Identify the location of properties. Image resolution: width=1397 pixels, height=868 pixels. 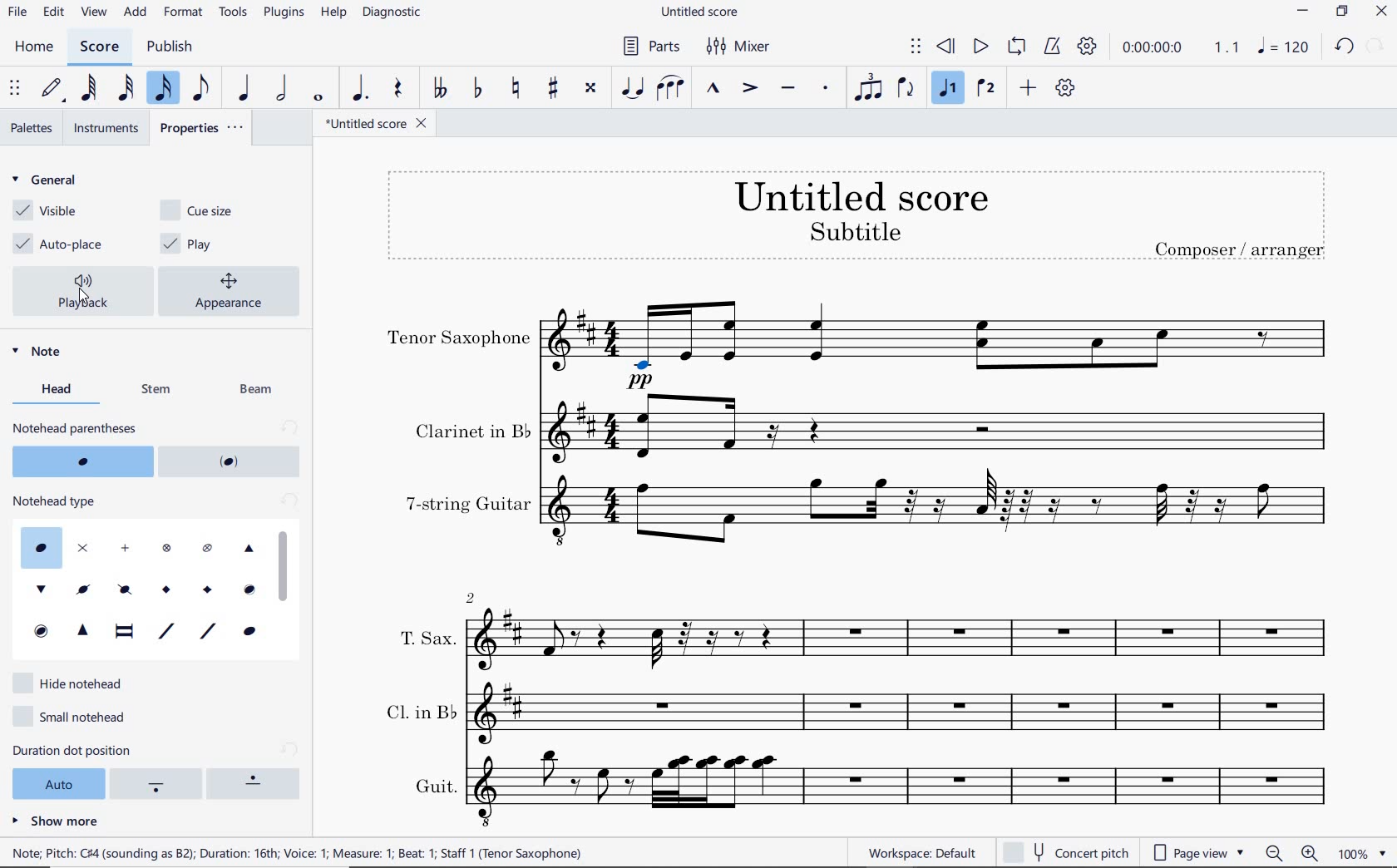
(202, 126).